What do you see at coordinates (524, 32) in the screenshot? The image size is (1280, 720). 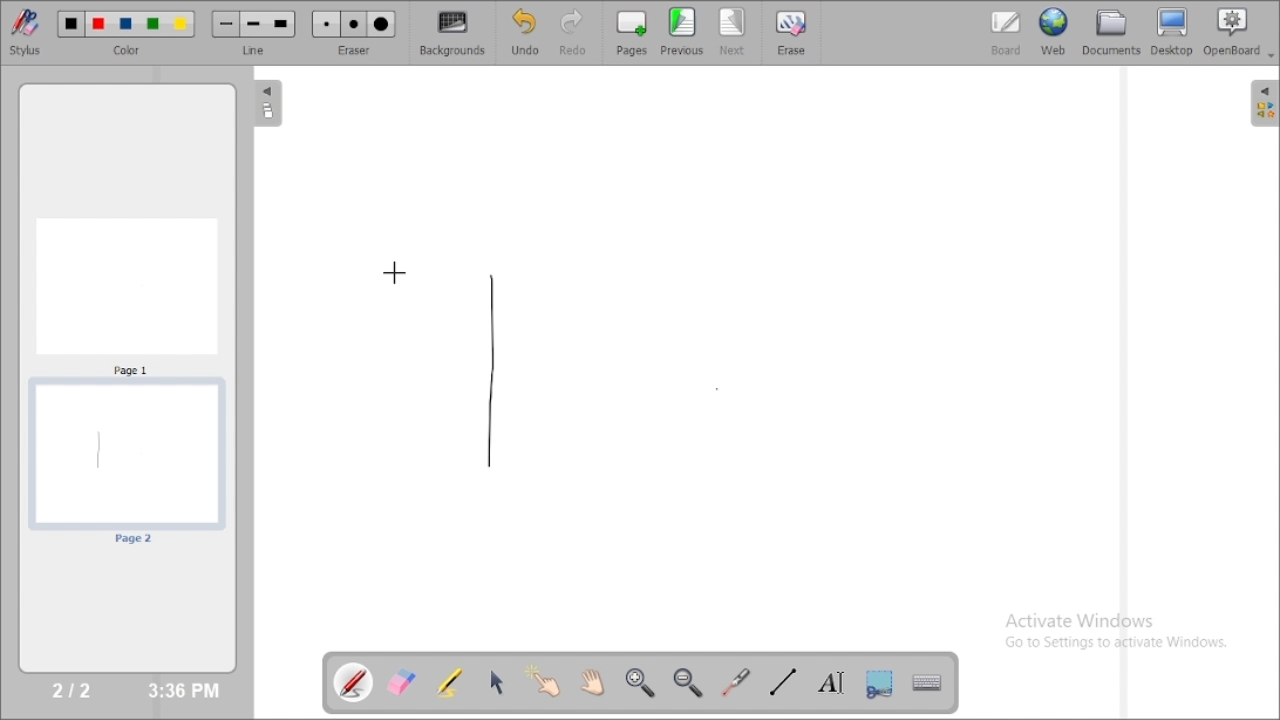 I see `undo` at bounding box center [524, 32].